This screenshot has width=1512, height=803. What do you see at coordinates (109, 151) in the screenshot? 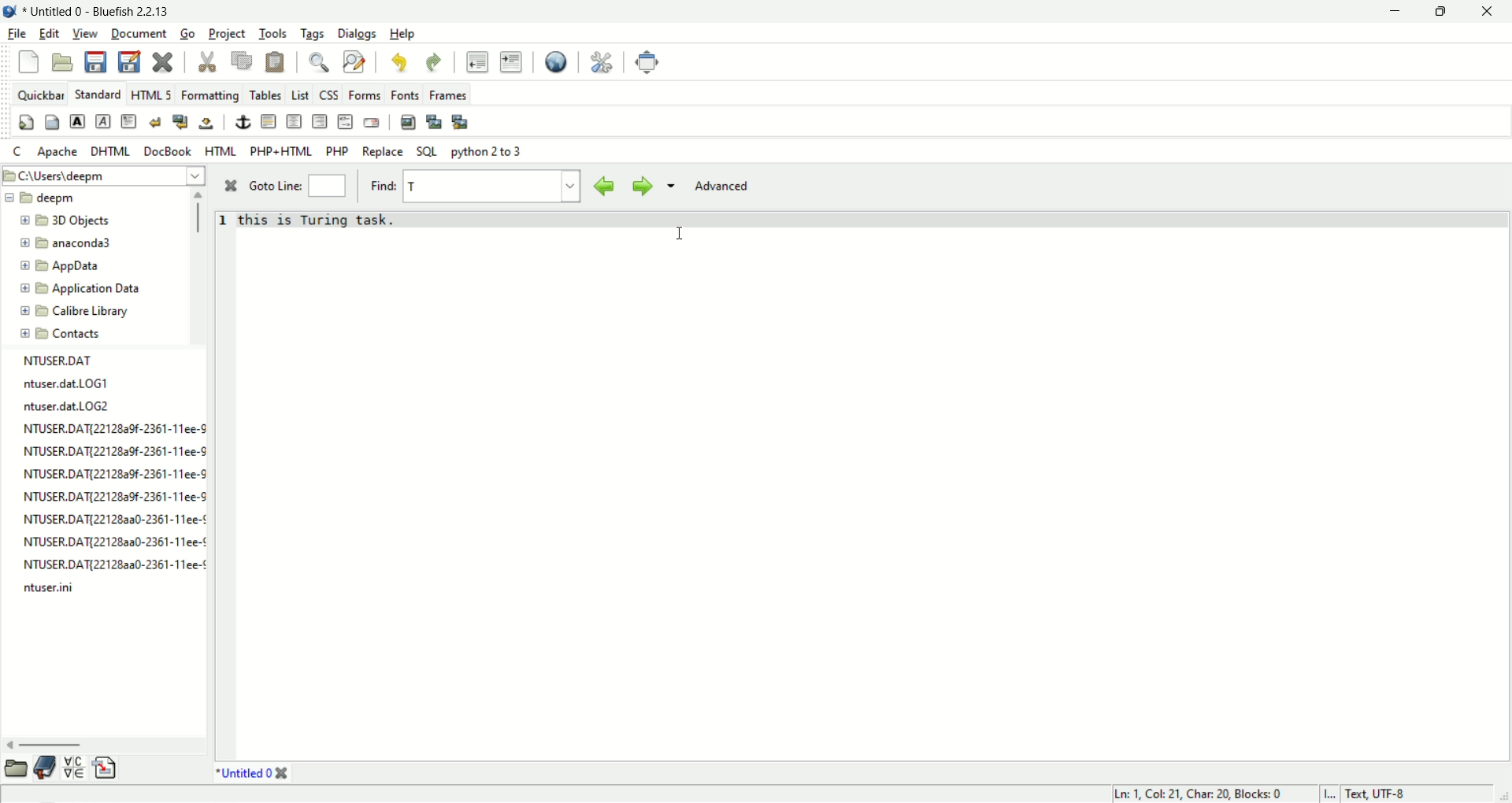
I see `DHTML` at bounding box center [109, 151].